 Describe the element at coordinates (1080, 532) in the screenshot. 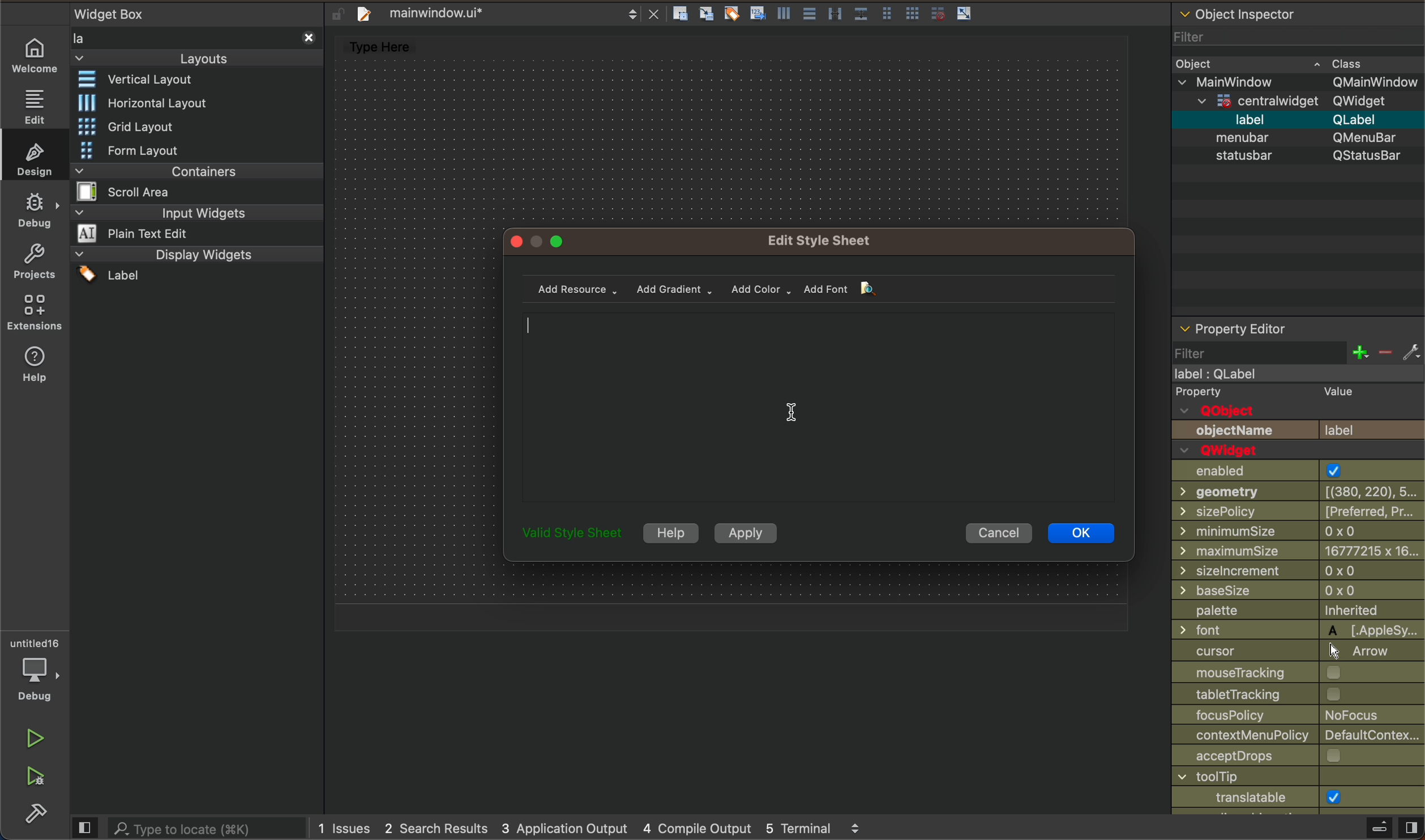

I see `ok` at that location.